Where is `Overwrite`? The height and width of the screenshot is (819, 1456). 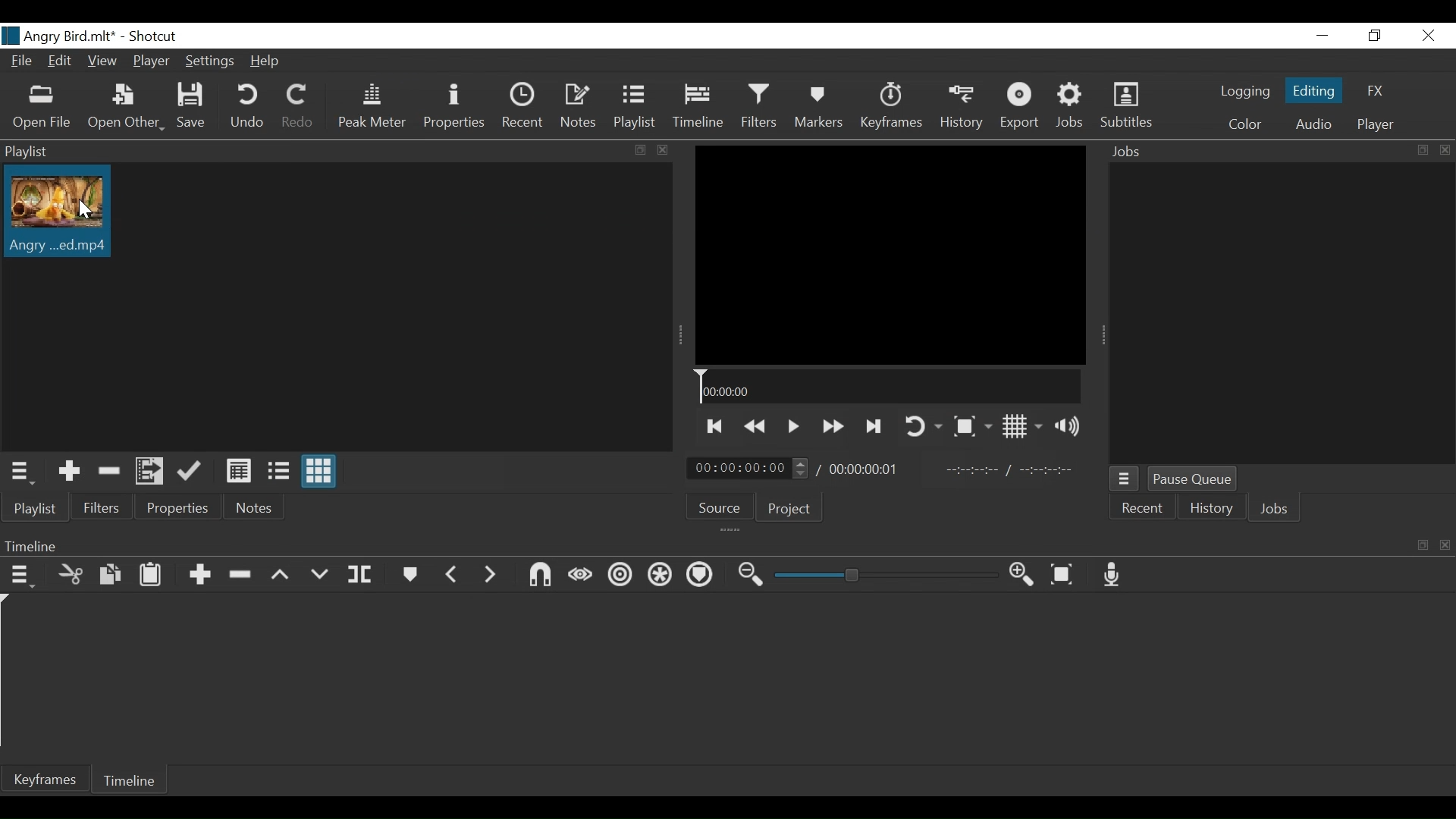
Overwrite is located at coordinates (318, 576).